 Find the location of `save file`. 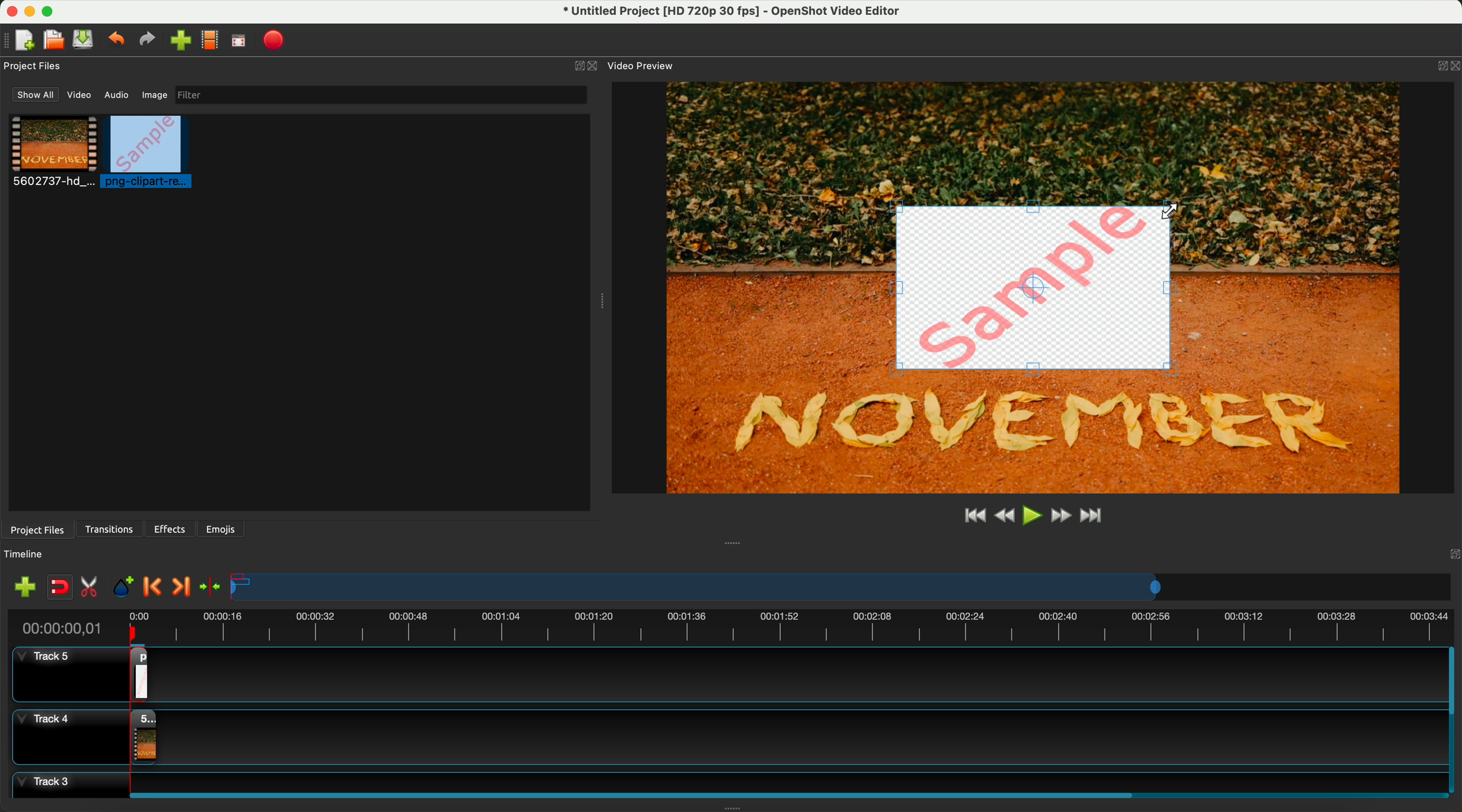

save file is located at coordinates (85, 40).